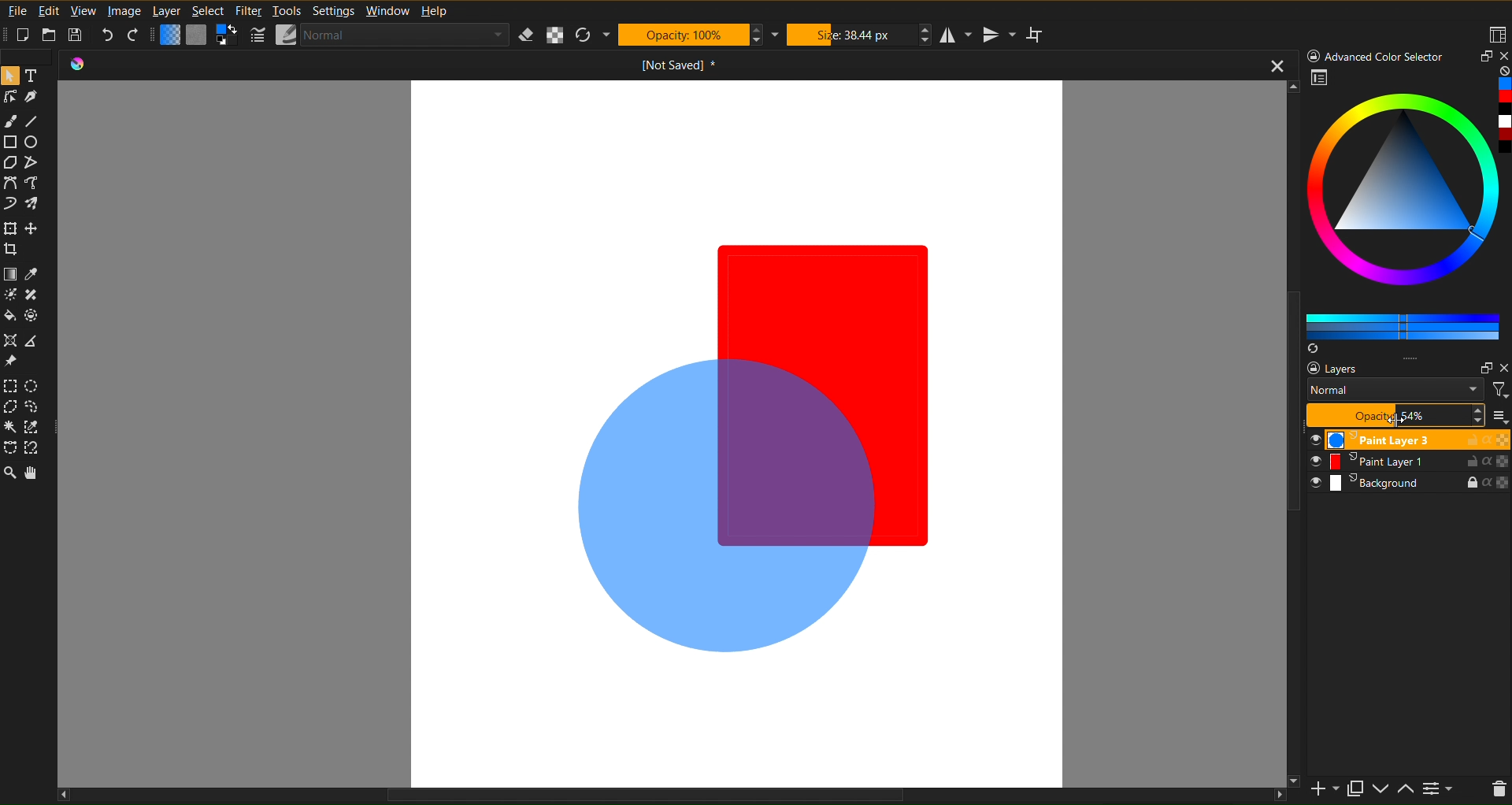 This screenshot has height=805, width=1512. Describe the element at coordinates (11, 248) in the screenshot. I see `Move Tool` at that location.